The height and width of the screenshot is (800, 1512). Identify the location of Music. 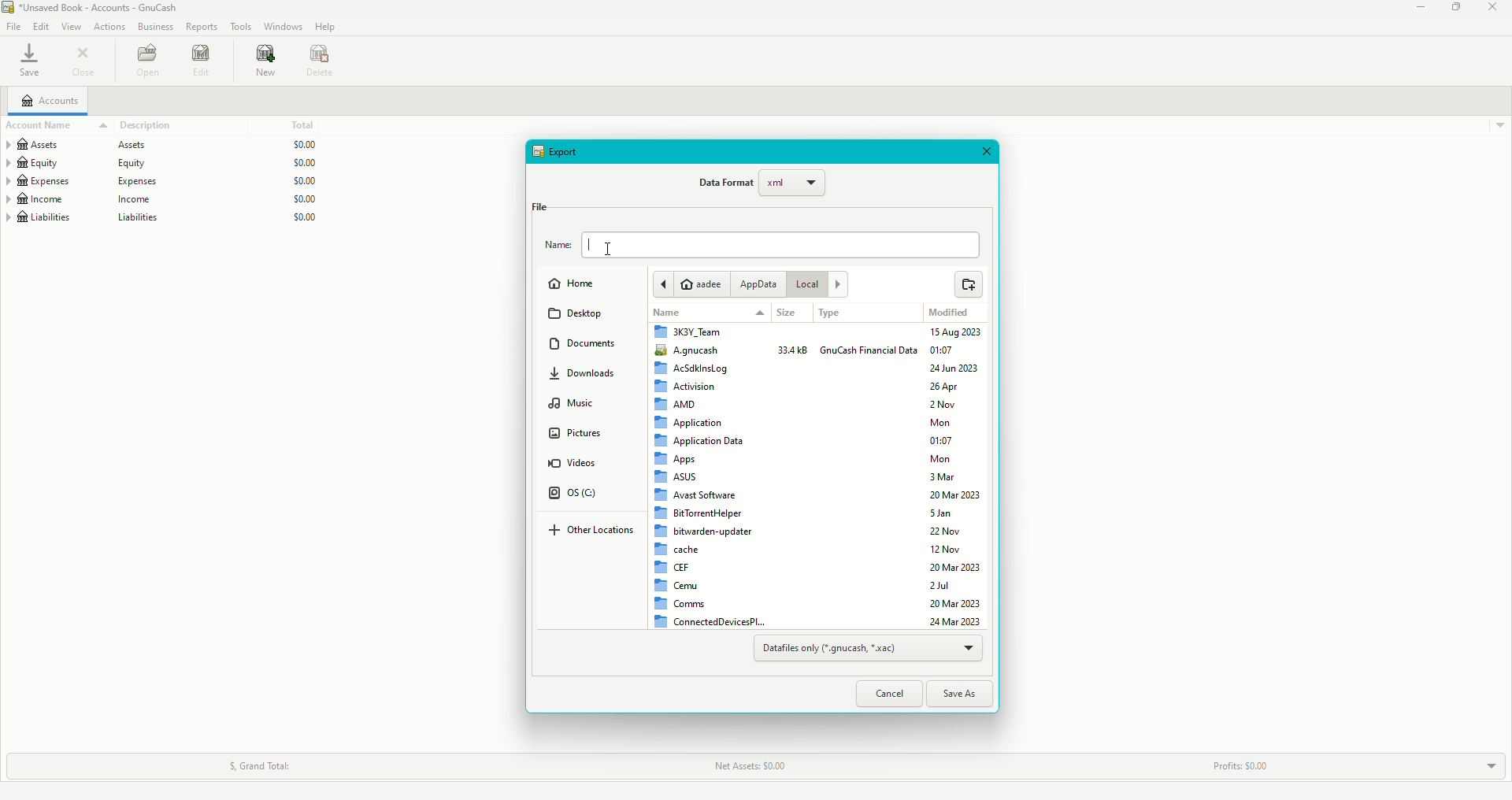
(576, 406).